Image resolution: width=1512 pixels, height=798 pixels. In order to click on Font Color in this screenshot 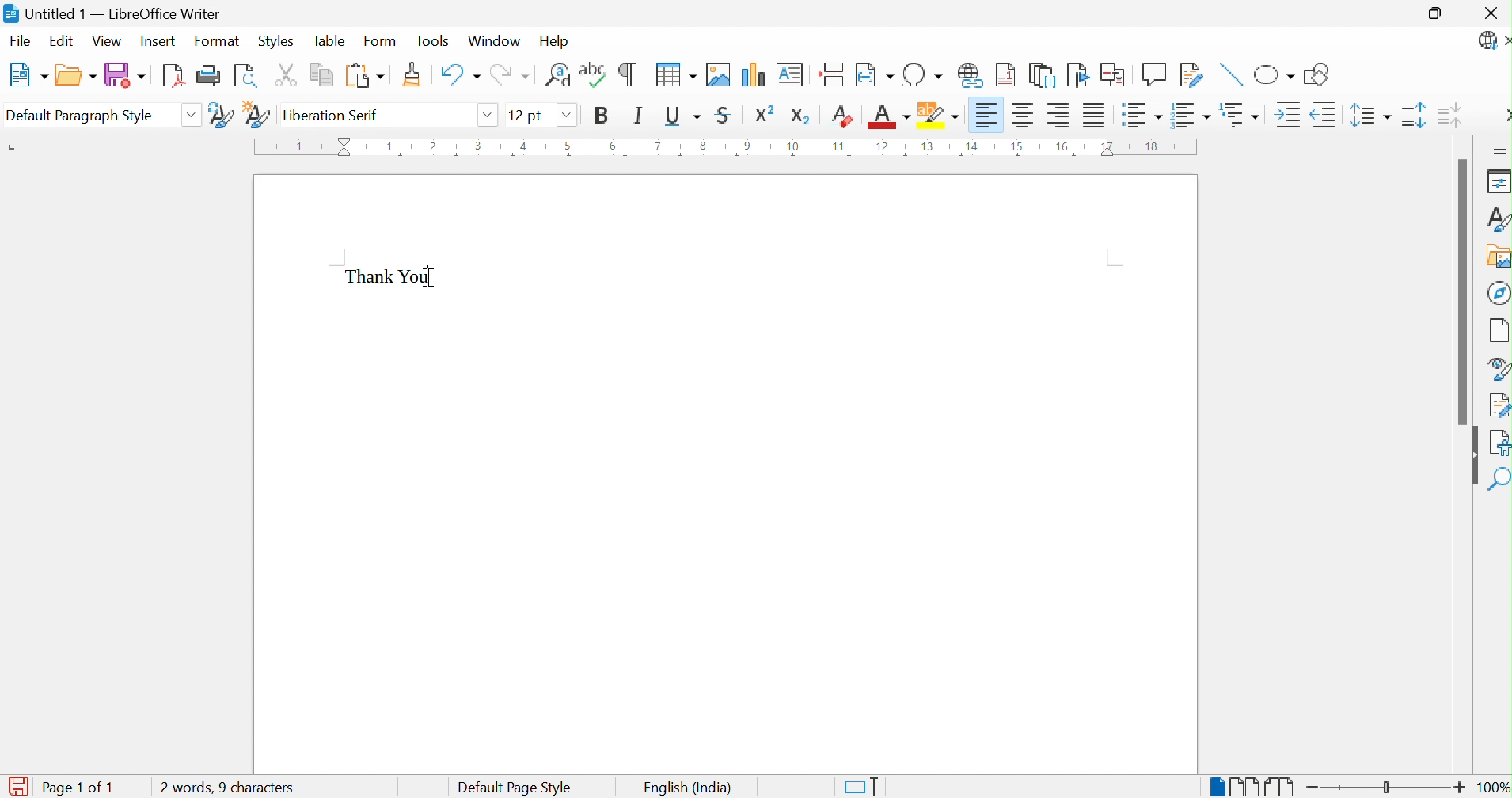, I will do `click(891, 118)`.